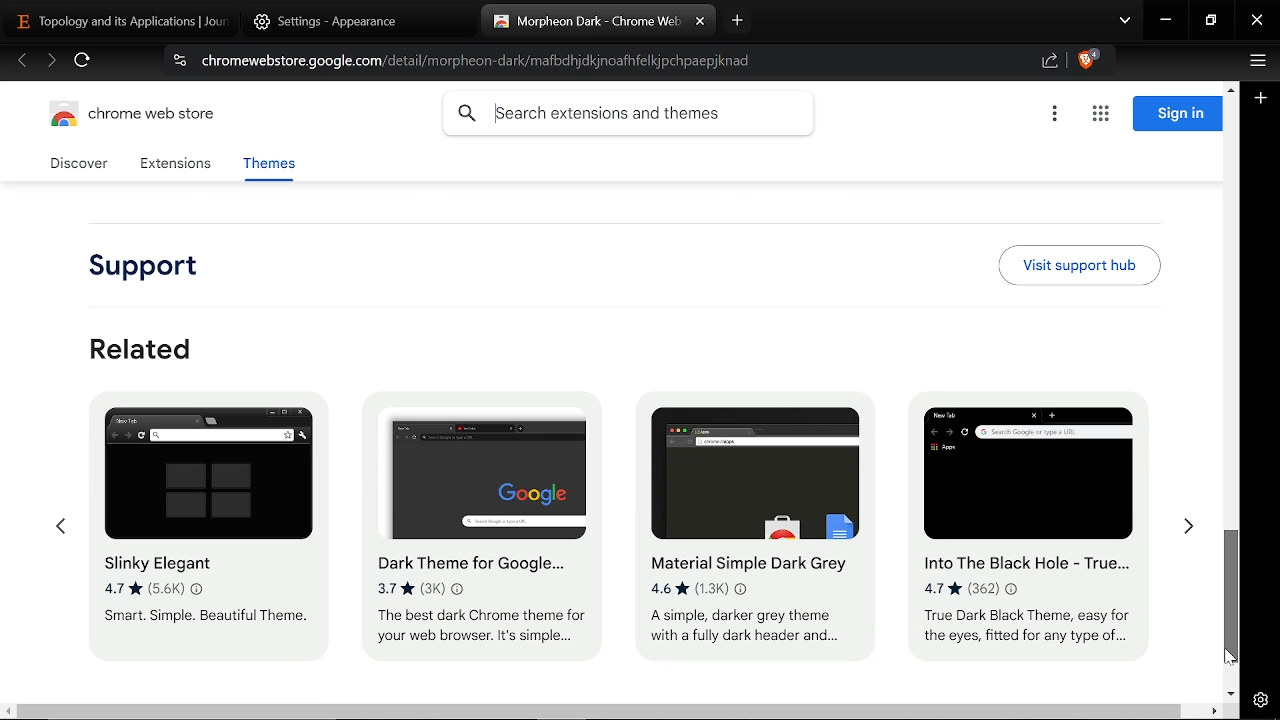 The height and width of the screenshot is (720, 1280). I want to click on Close, so click(1257, 22).